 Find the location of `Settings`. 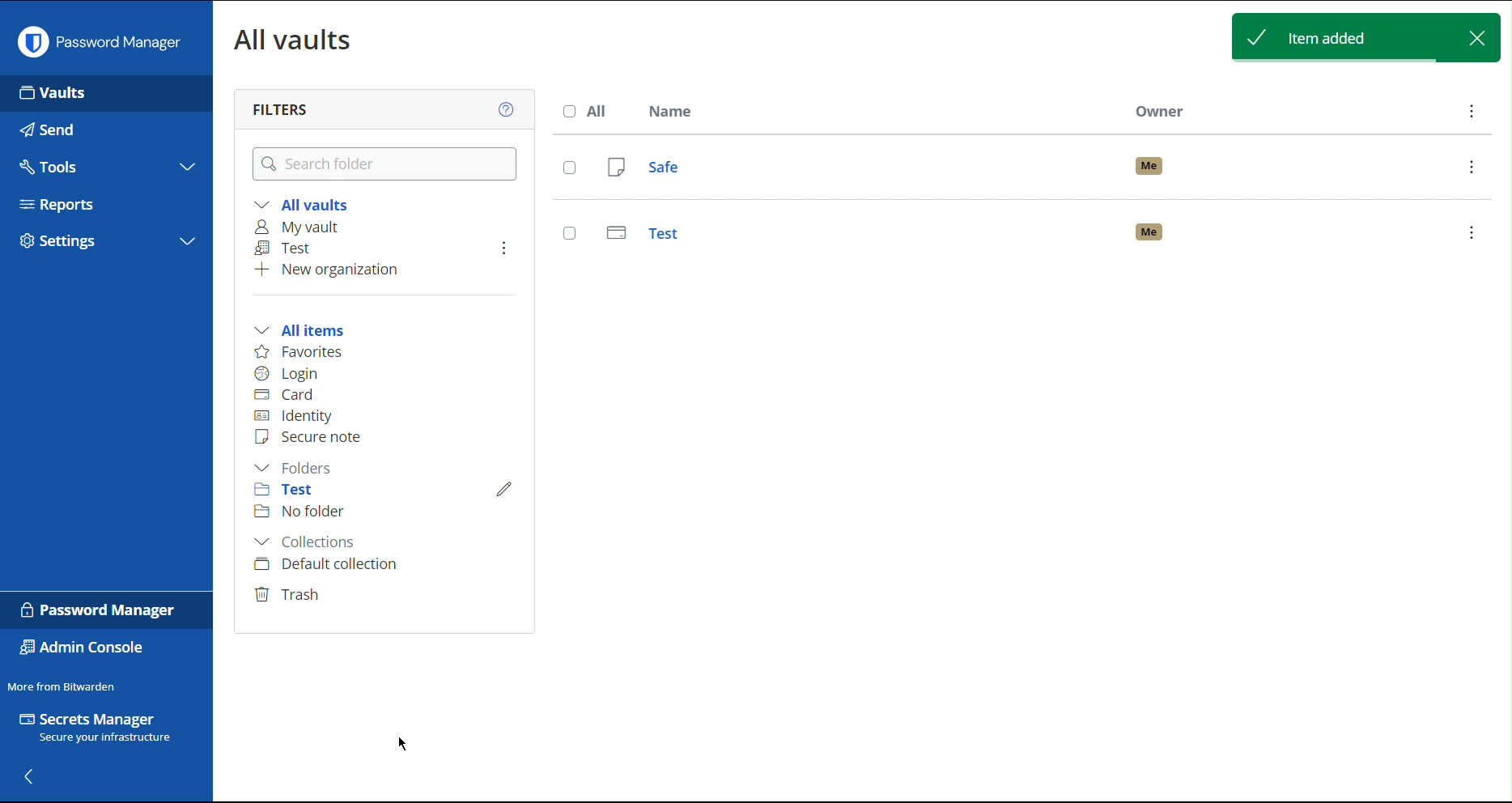

Settings is located at coordinates (60, 243).